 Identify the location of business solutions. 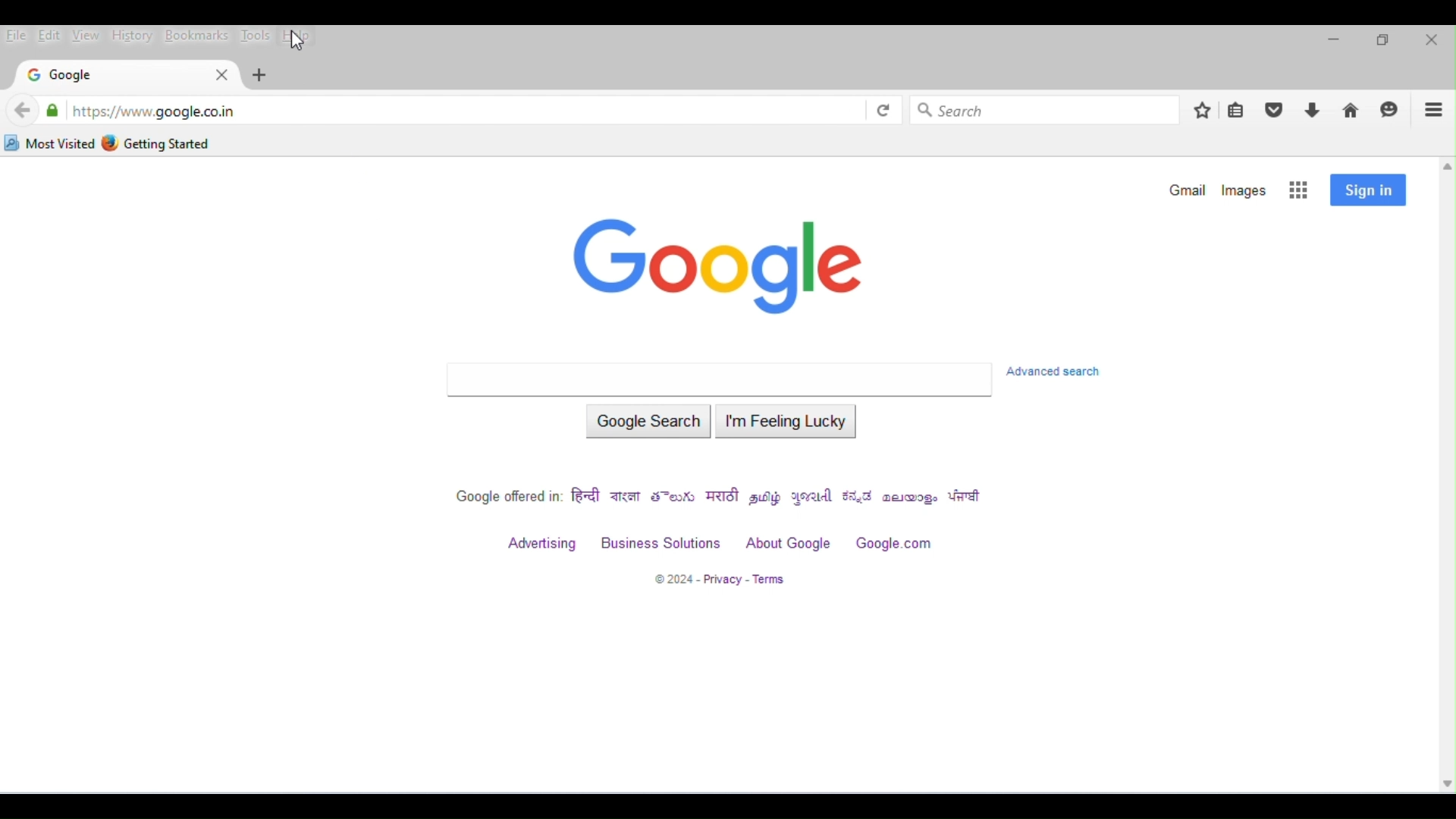
(660, 544).